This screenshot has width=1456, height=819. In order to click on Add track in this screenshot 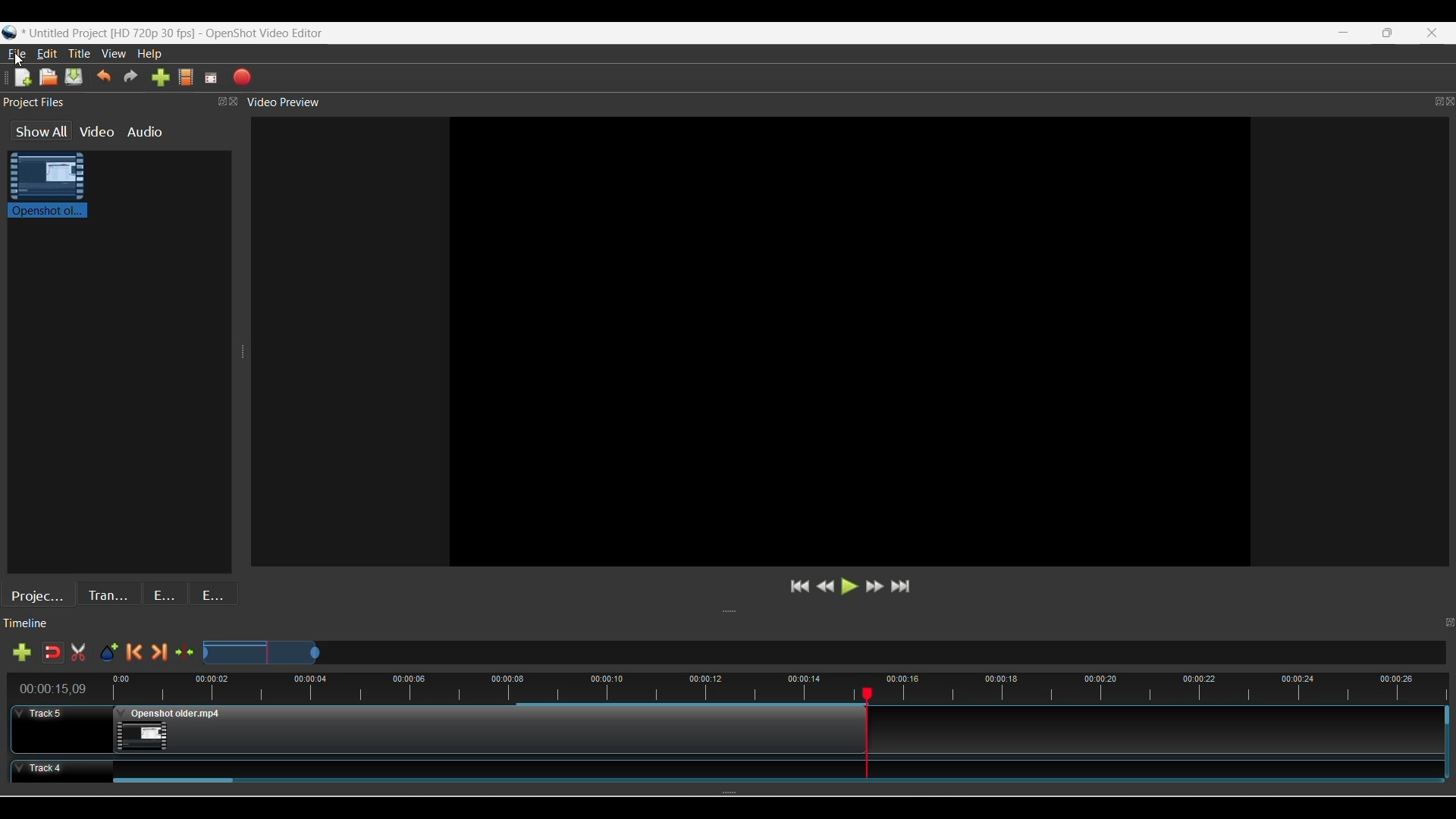, I will do `click(21, 652)`.